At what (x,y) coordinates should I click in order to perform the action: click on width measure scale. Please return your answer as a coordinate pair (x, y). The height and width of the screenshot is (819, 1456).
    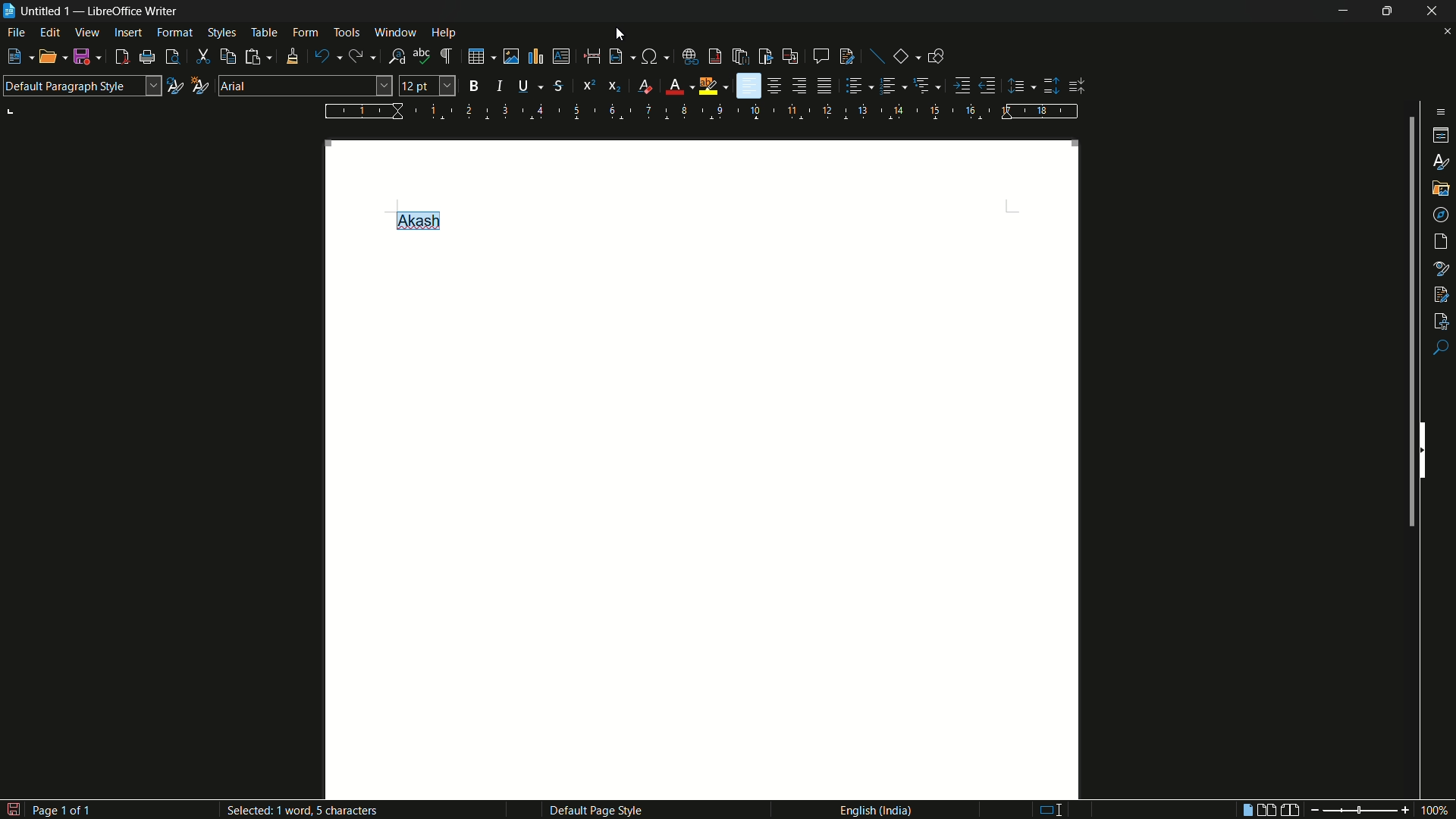
    Looking at the image, I should click on (703, 111).